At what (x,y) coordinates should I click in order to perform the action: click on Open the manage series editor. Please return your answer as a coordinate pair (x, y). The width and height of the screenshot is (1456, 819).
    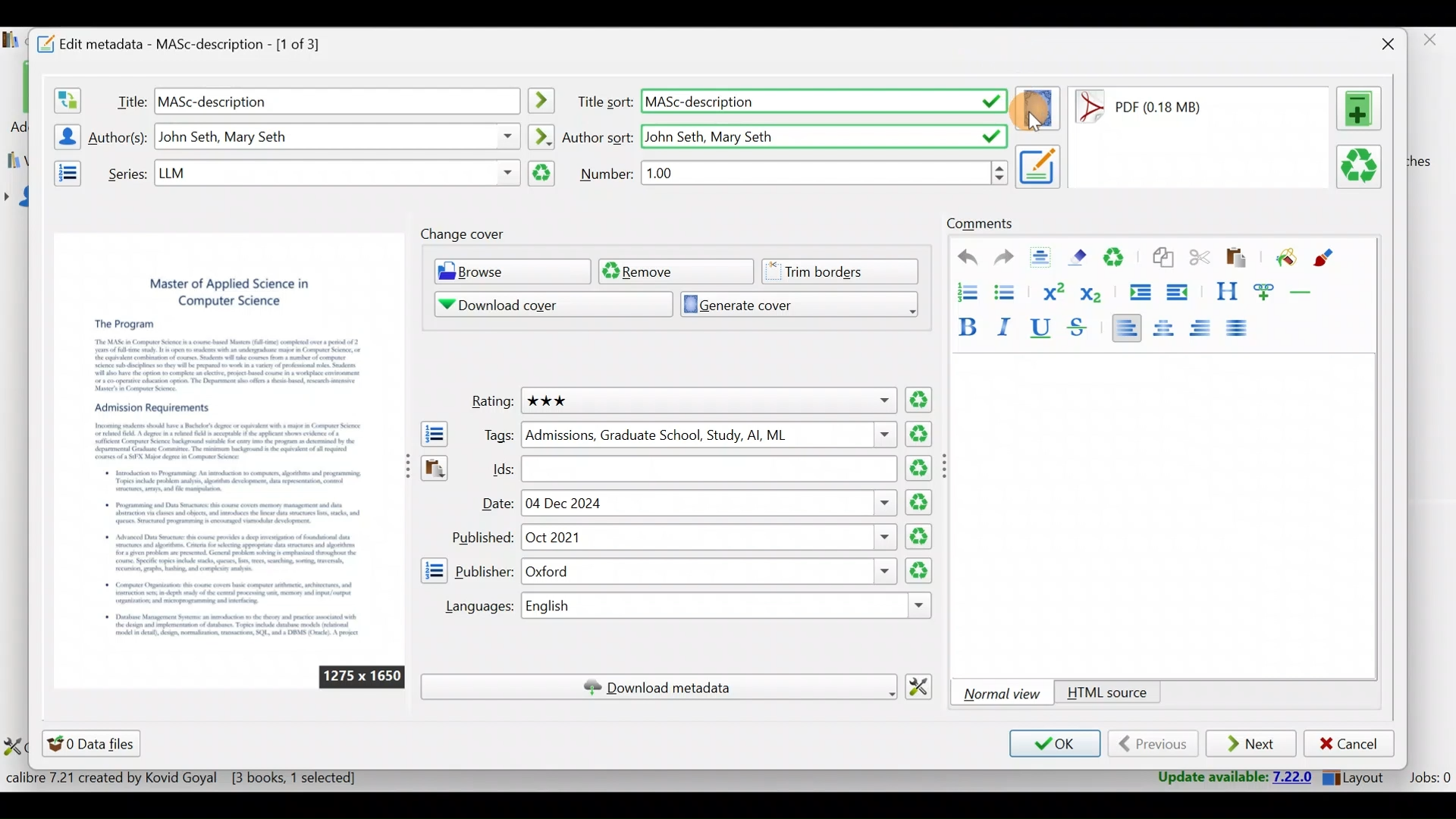
    Looking at the image, I should click on (63, 171).